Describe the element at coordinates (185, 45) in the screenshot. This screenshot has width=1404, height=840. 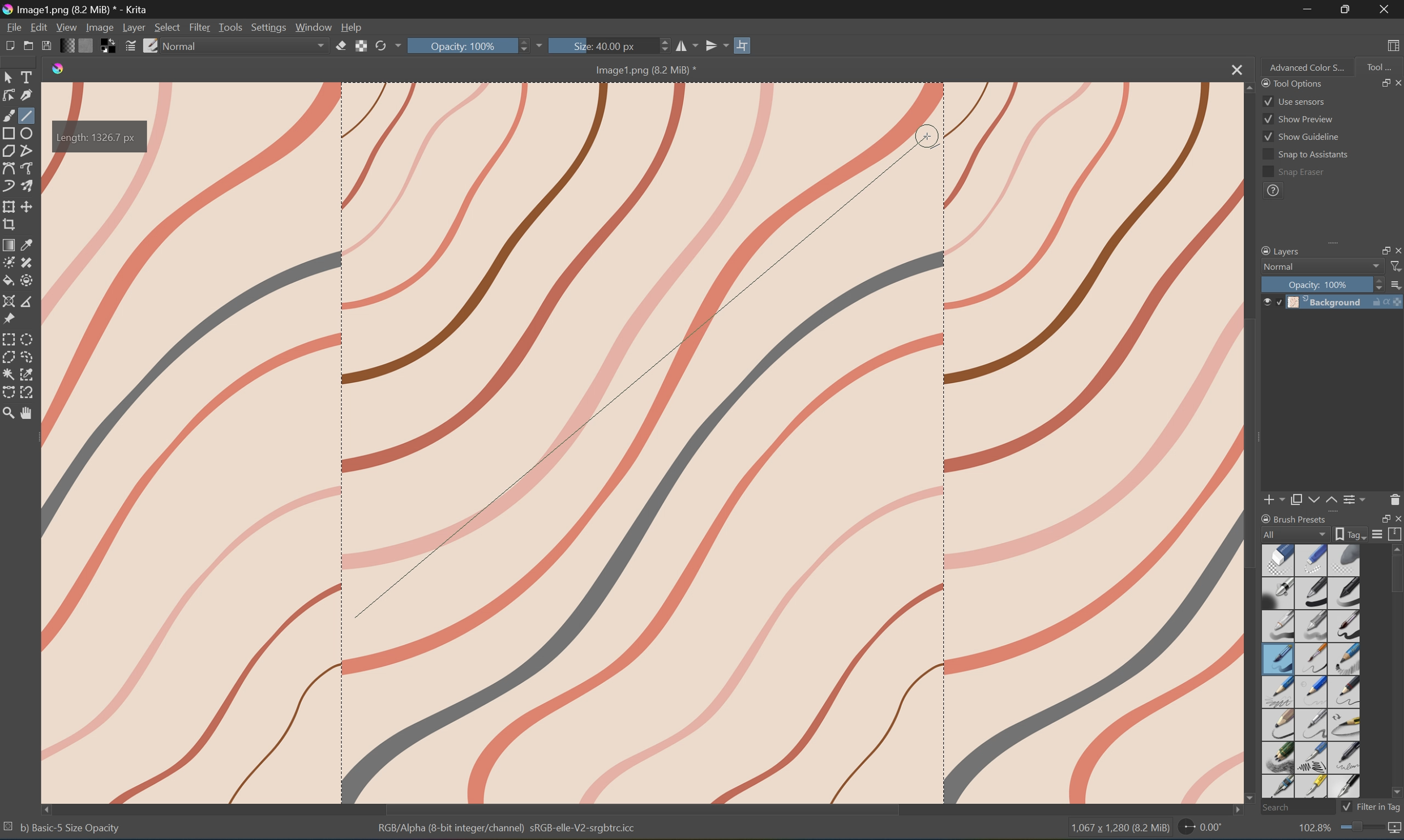
I see `Normal` at that location.